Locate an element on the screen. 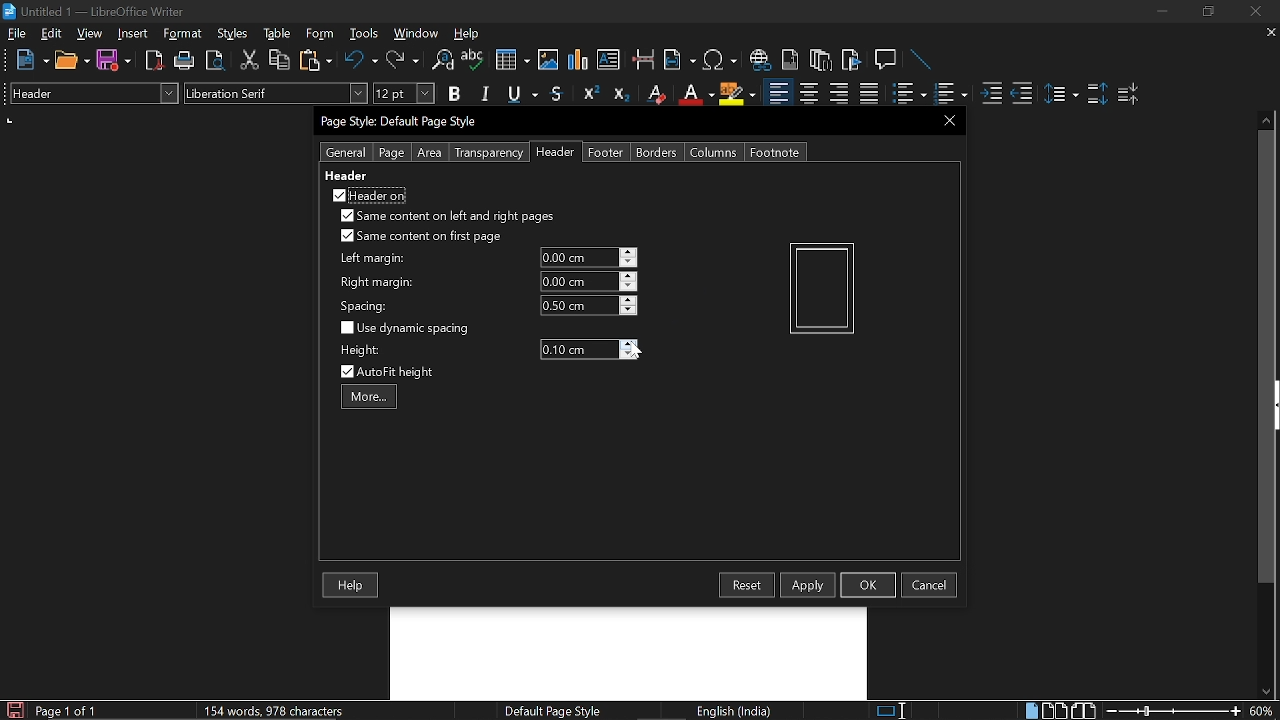 The width and height of the screenshot is (1280, 720). Insert text is located at coordinates (608, 59).